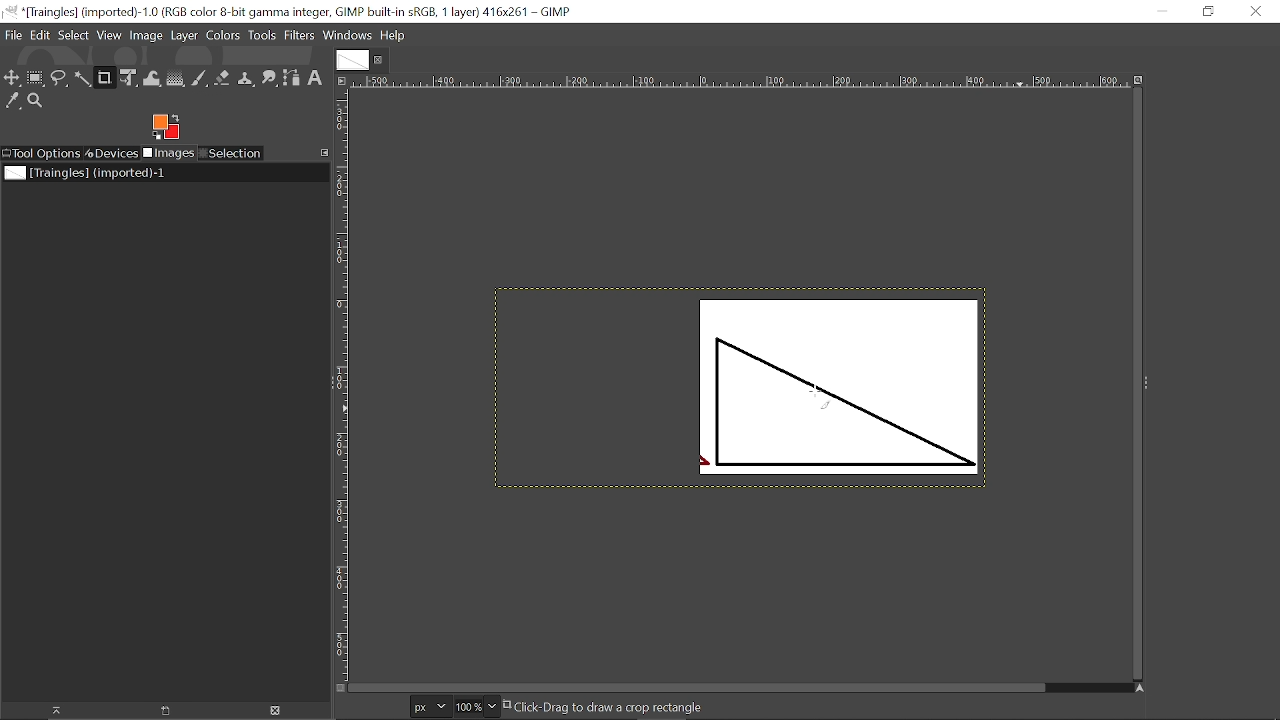 Image resolution: width=1280 pixels, height=720 pixels. What do you see at coordinates (315, 79) in the screenshot?
I see `Text tool` at bounding box center [315, 79].